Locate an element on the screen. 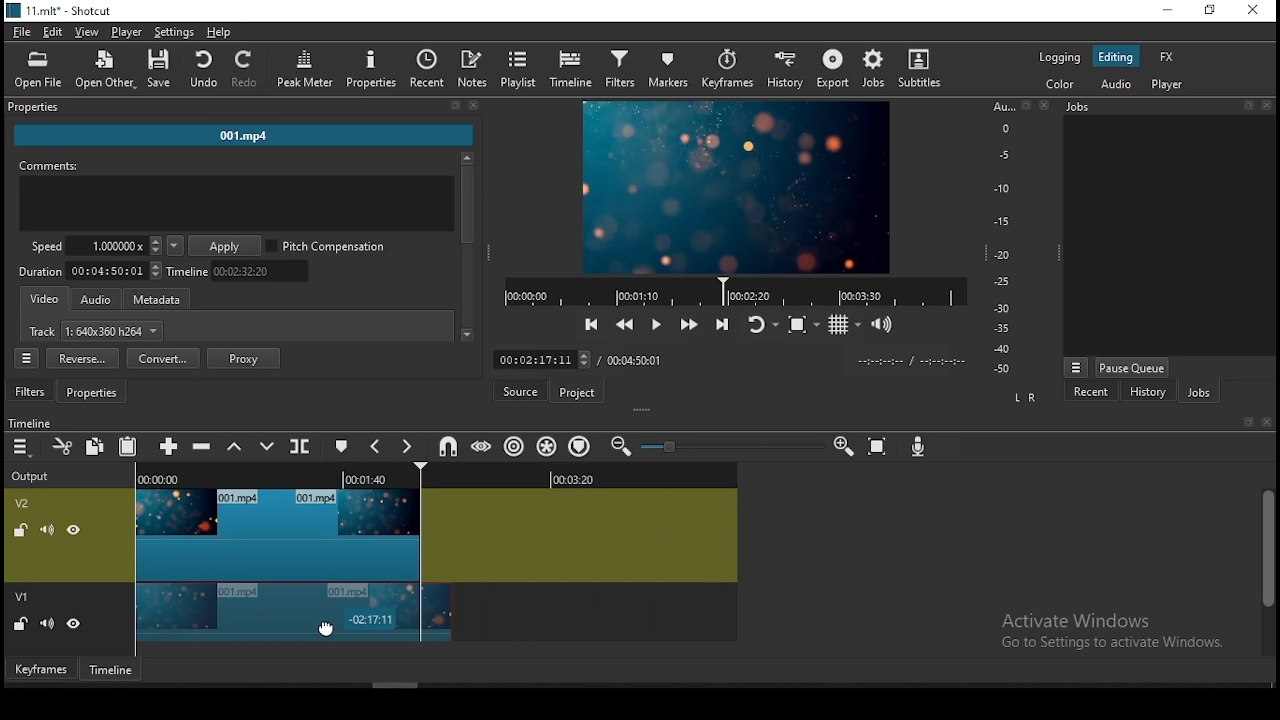  color is located at coordinates (1059, 82).